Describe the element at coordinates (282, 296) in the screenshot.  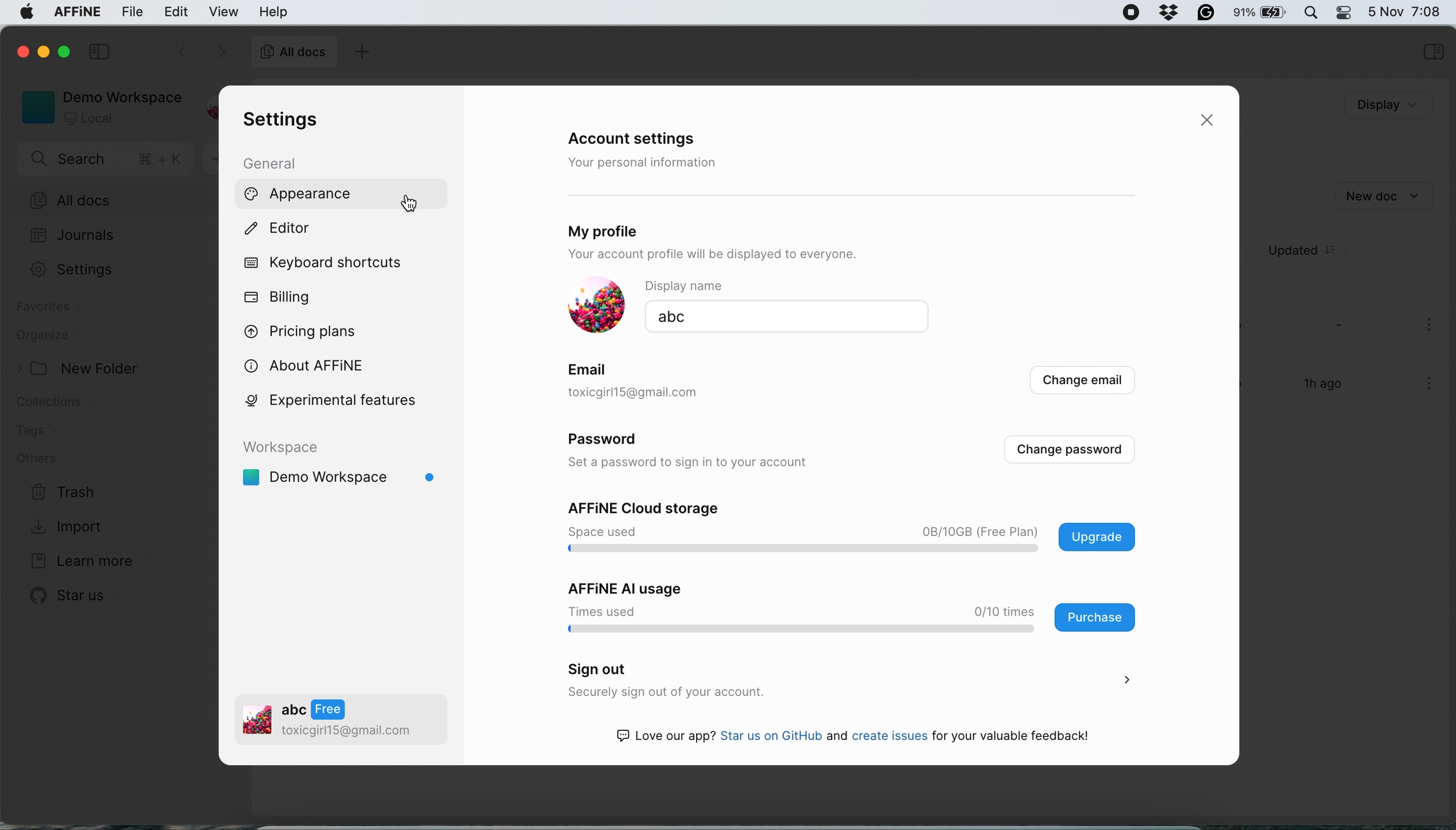
I see `billing` at that location.